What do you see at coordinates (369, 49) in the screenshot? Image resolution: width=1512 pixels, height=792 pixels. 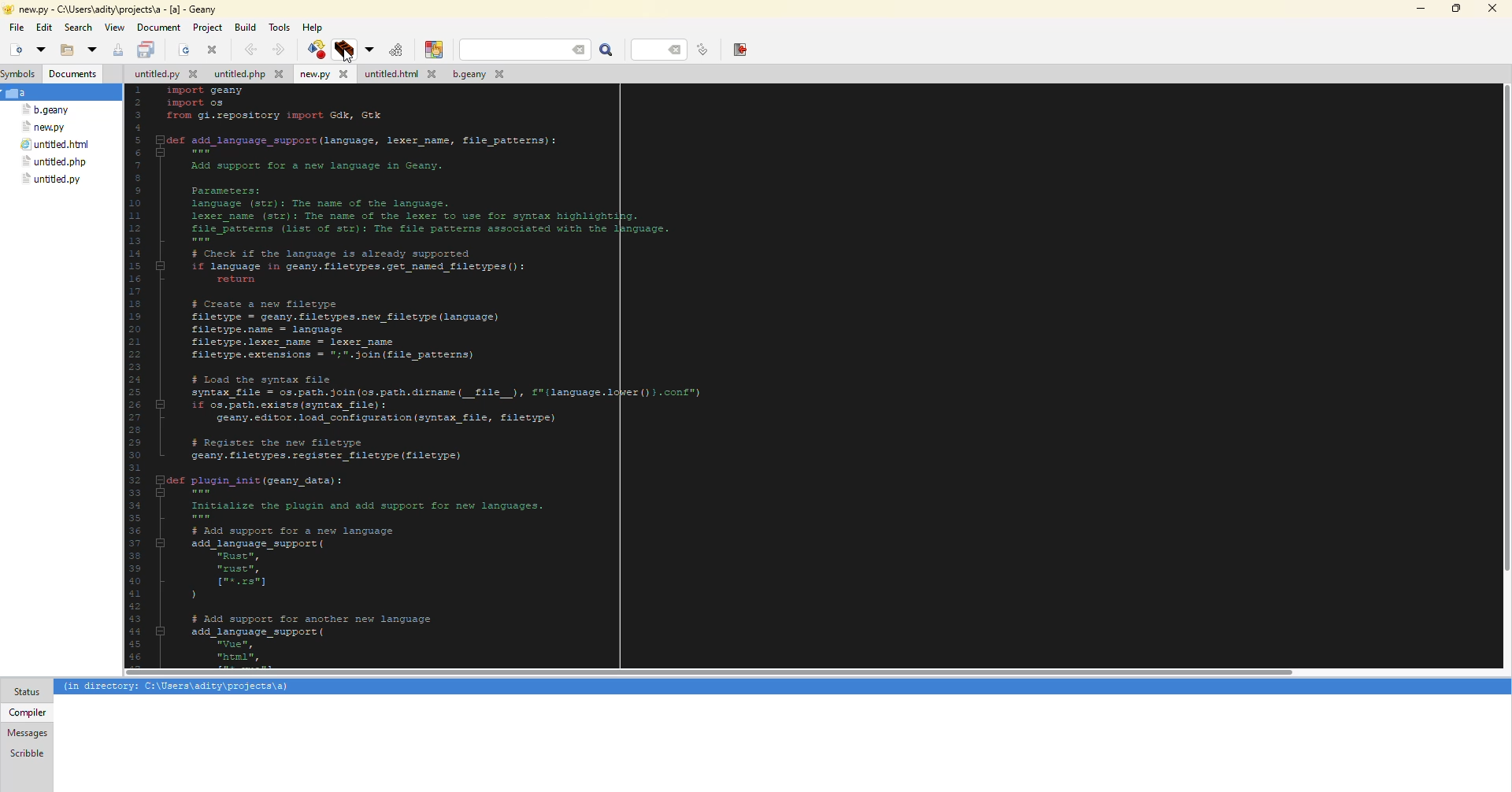 I see `build options` at bounding box center [369, 49].